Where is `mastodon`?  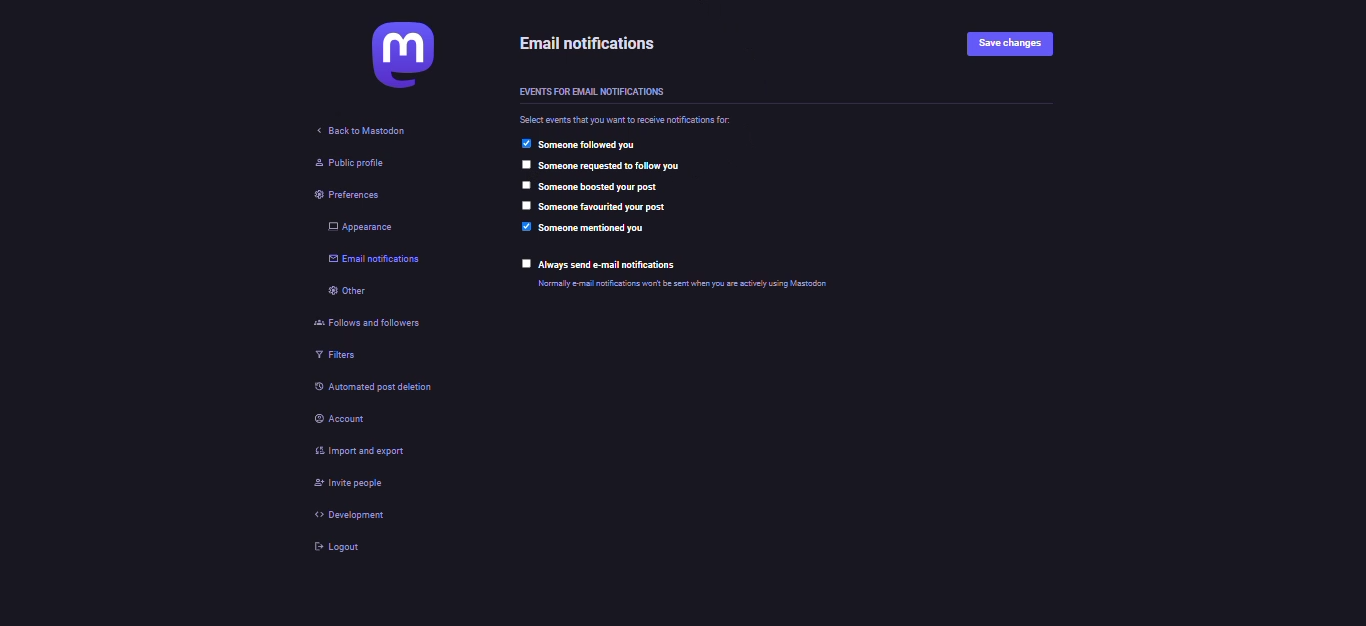
mastodon is located at coordinates (398, 55).